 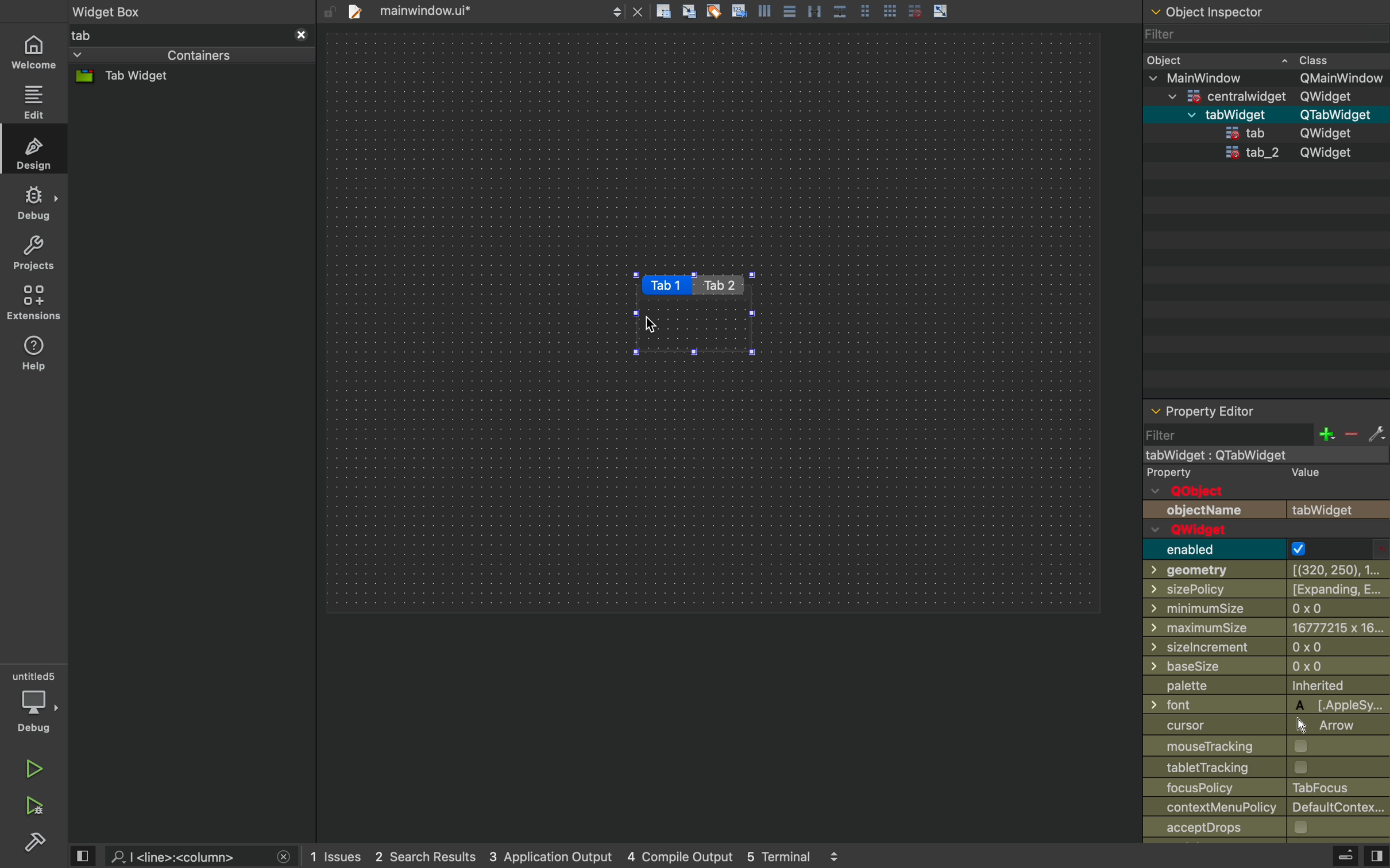 I want to click on enabled, so click(x=1231, y=549).